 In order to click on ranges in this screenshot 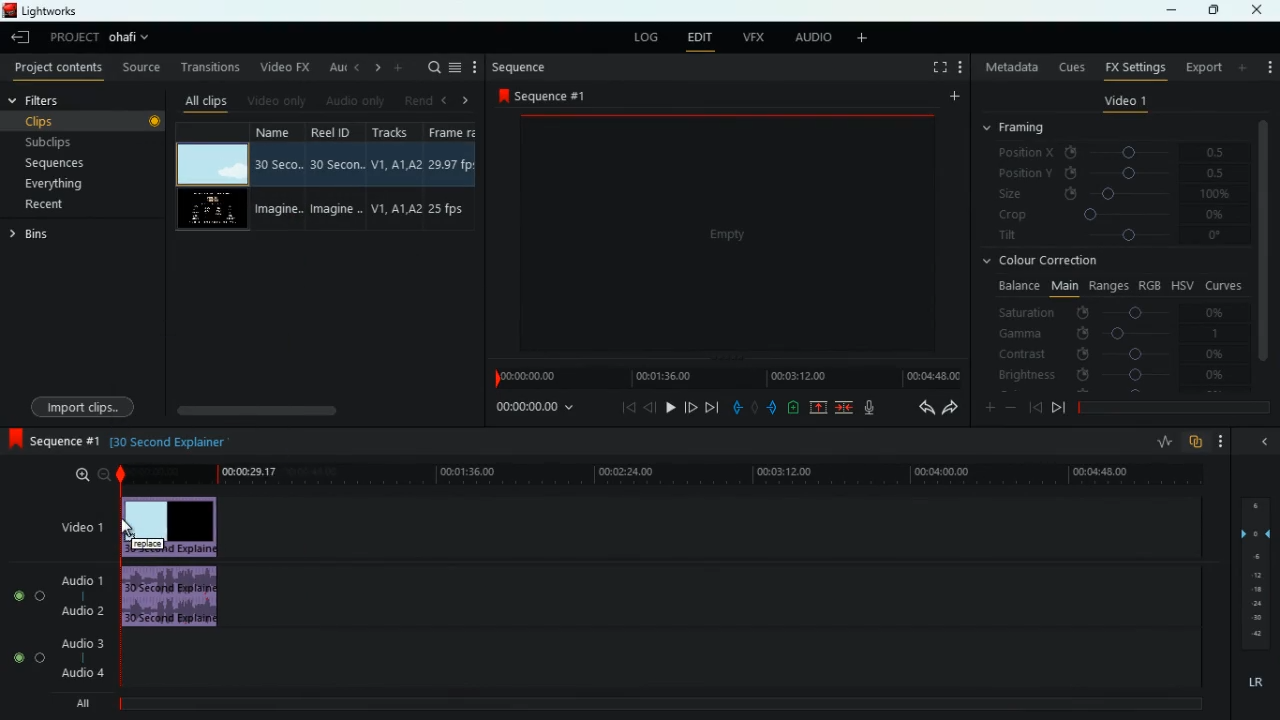, I will do `click(1109, 287)`.